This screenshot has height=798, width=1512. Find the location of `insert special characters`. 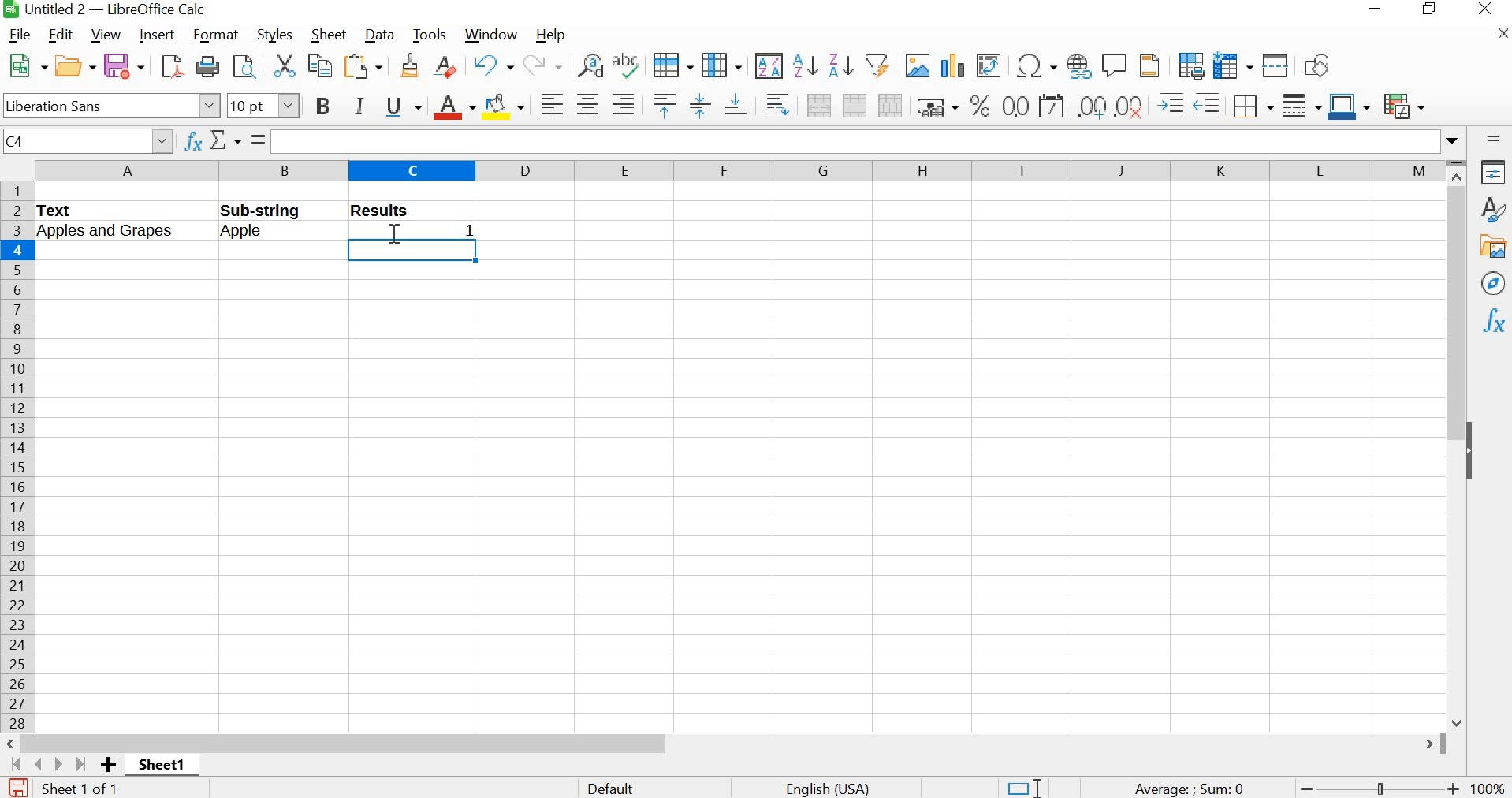

insert special characters is located at coordinates (1034, 67).